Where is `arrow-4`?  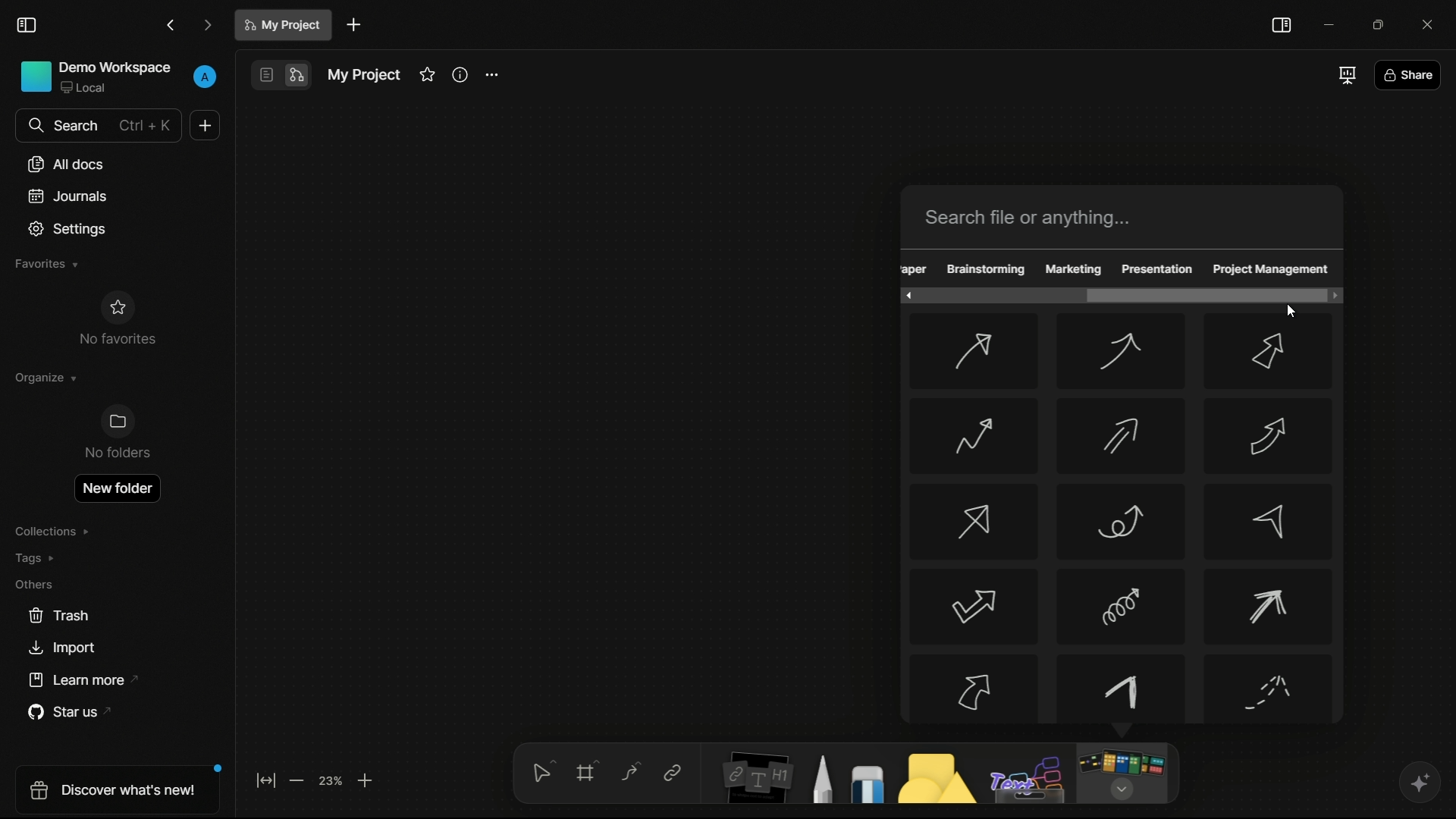
arrow-4 is located at coordinates (971, 435).